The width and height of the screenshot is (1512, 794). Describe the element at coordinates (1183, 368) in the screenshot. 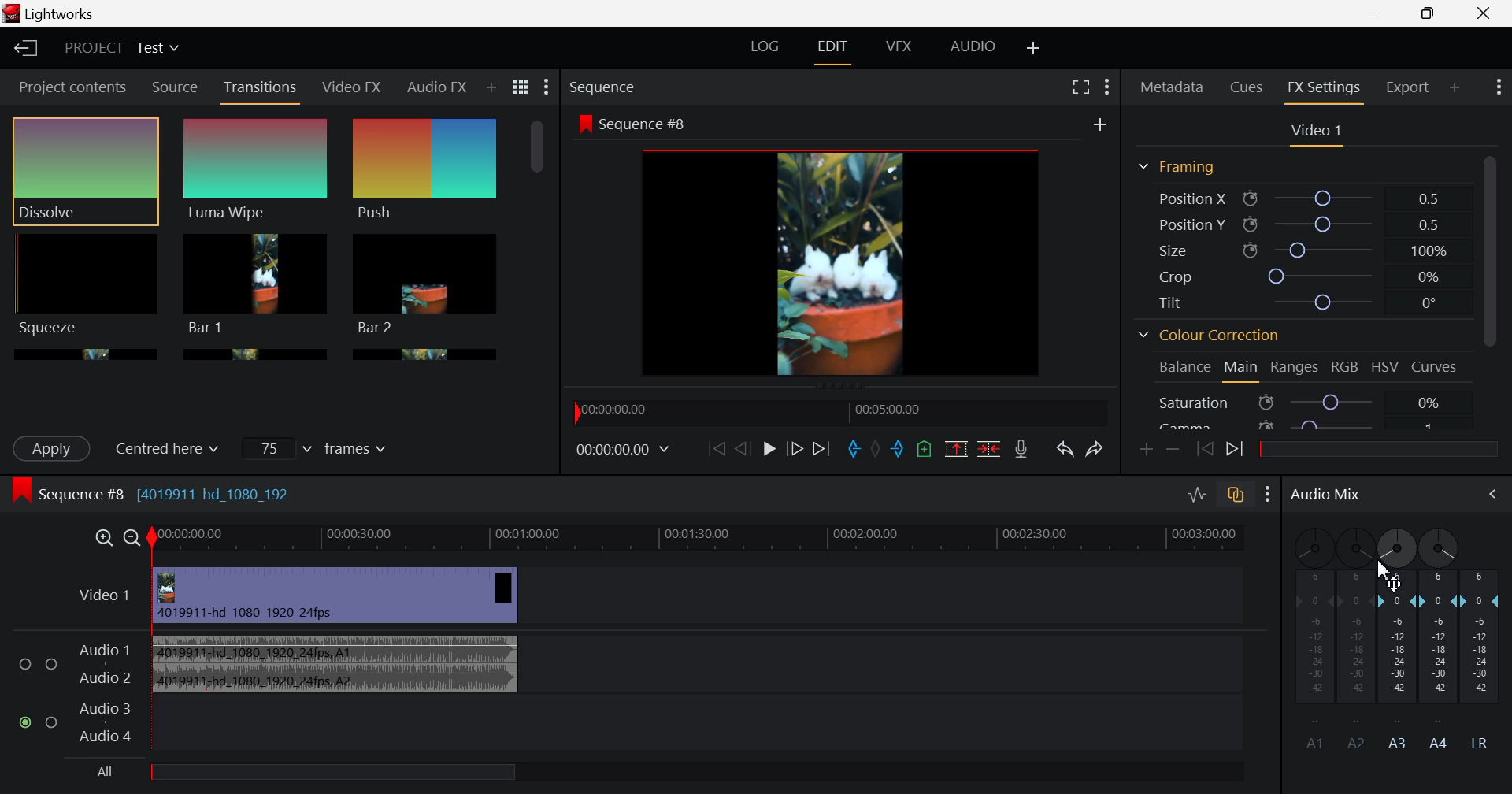

I see `Balance` at that location.